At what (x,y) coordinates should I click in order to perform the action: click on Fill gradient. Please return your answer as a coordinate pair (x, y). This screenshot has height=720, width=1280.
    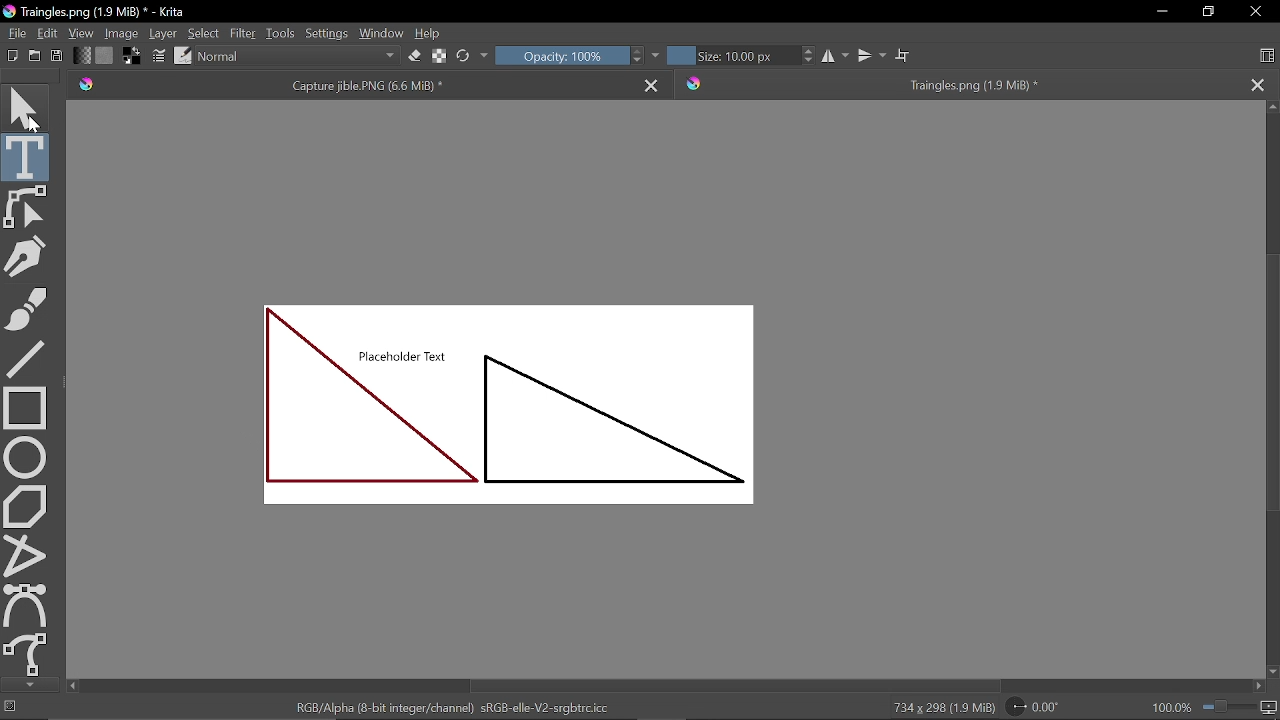
    Looking at the image, I should click on (83, 56).